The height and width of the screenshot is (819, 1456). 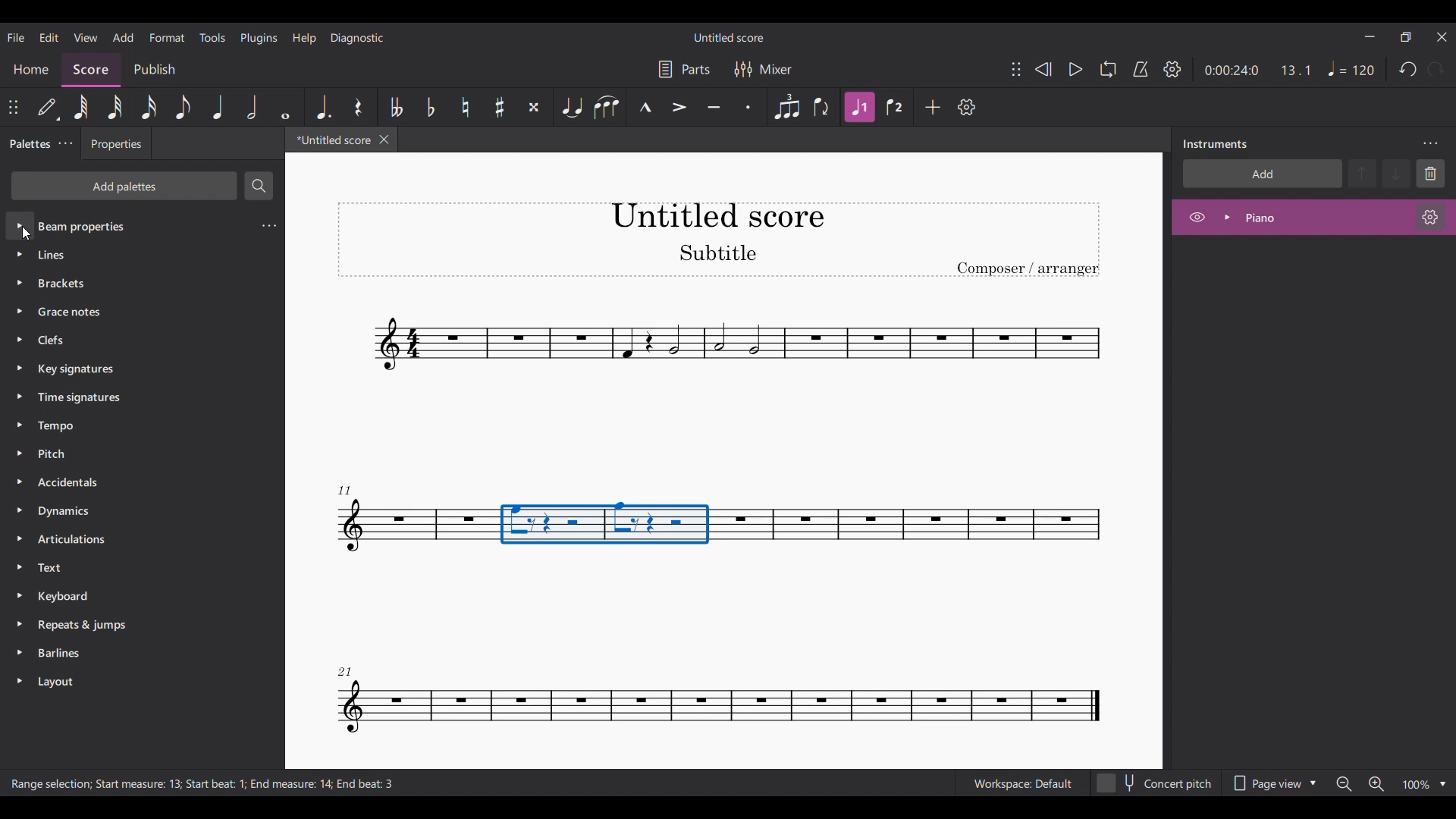 I want to click on Layout, so click(x=130, y=682).